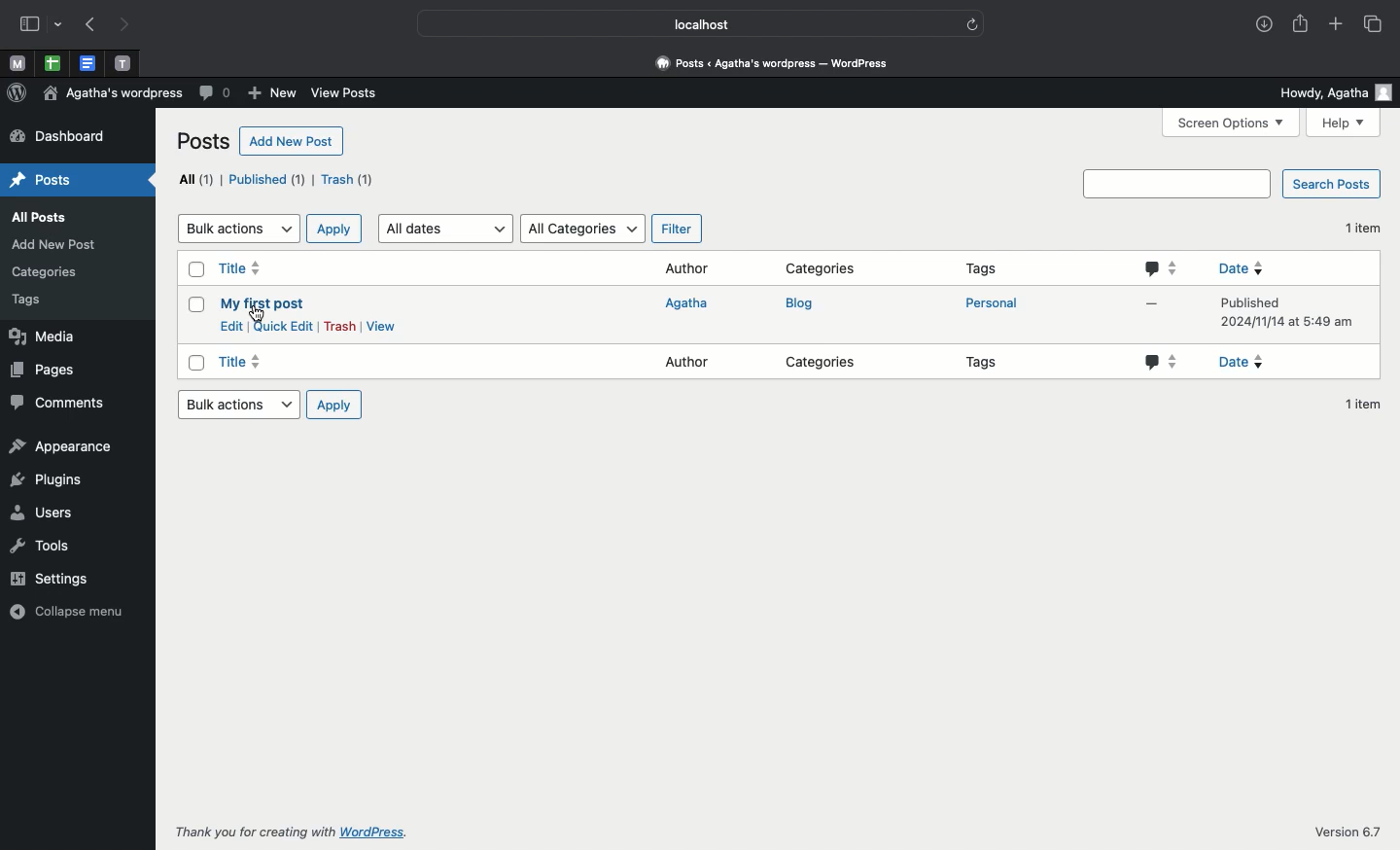 The width and height of the screenshot is (1400, 850). I want to click on Tabs, so click(1372, 23).